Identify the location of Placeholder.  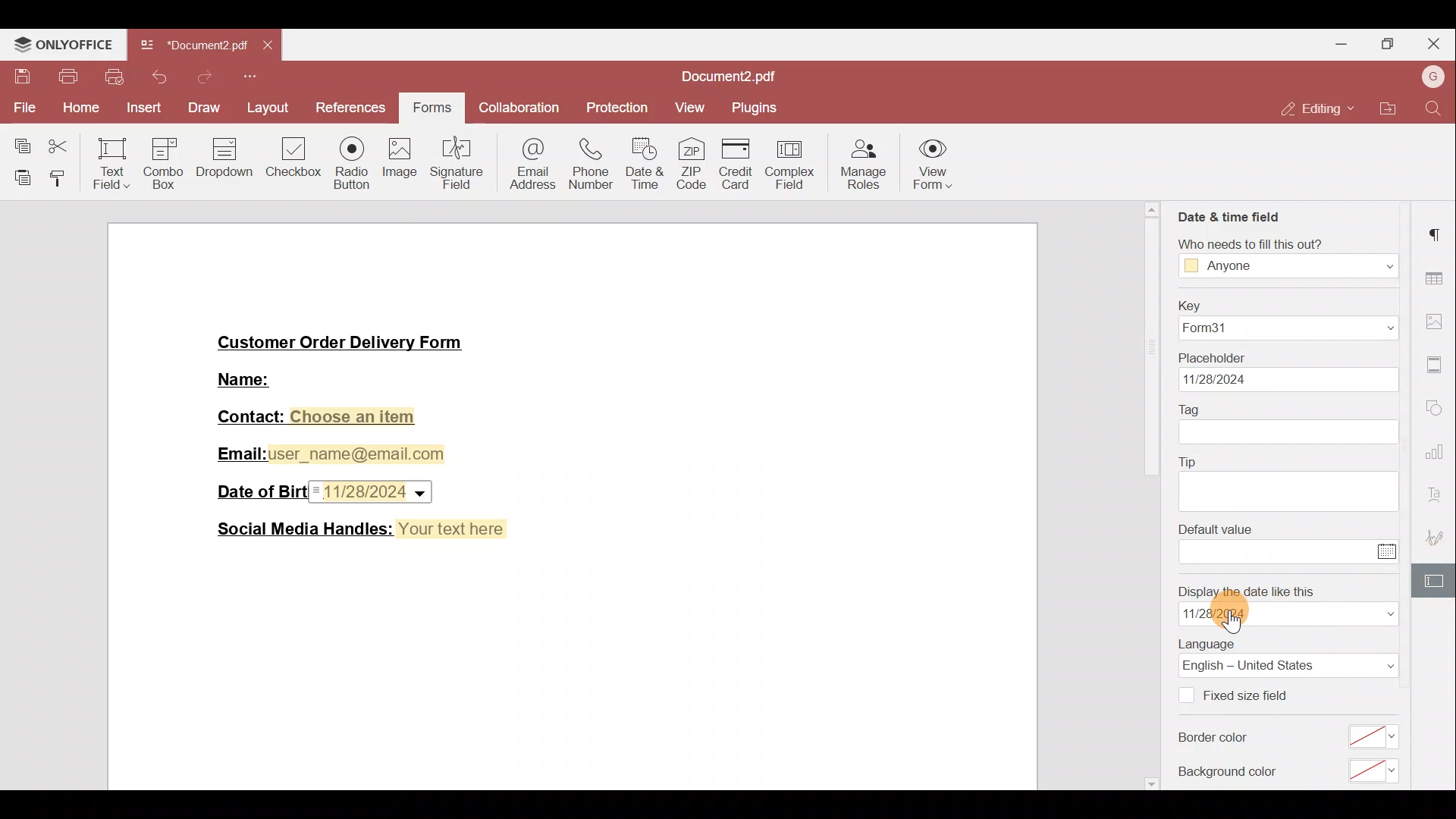
(1213, 358).